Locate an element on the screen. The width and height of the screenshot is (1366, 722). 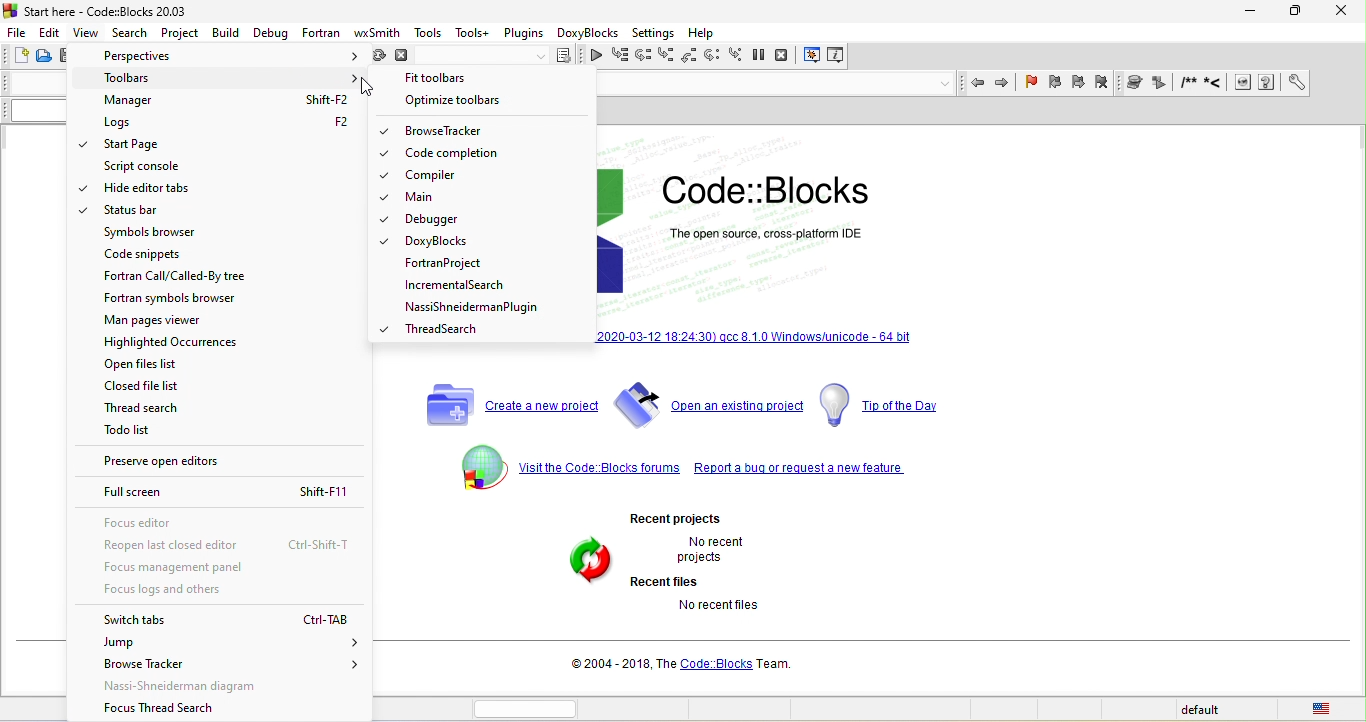
select target dialogue is located at coordinates (503, 59).